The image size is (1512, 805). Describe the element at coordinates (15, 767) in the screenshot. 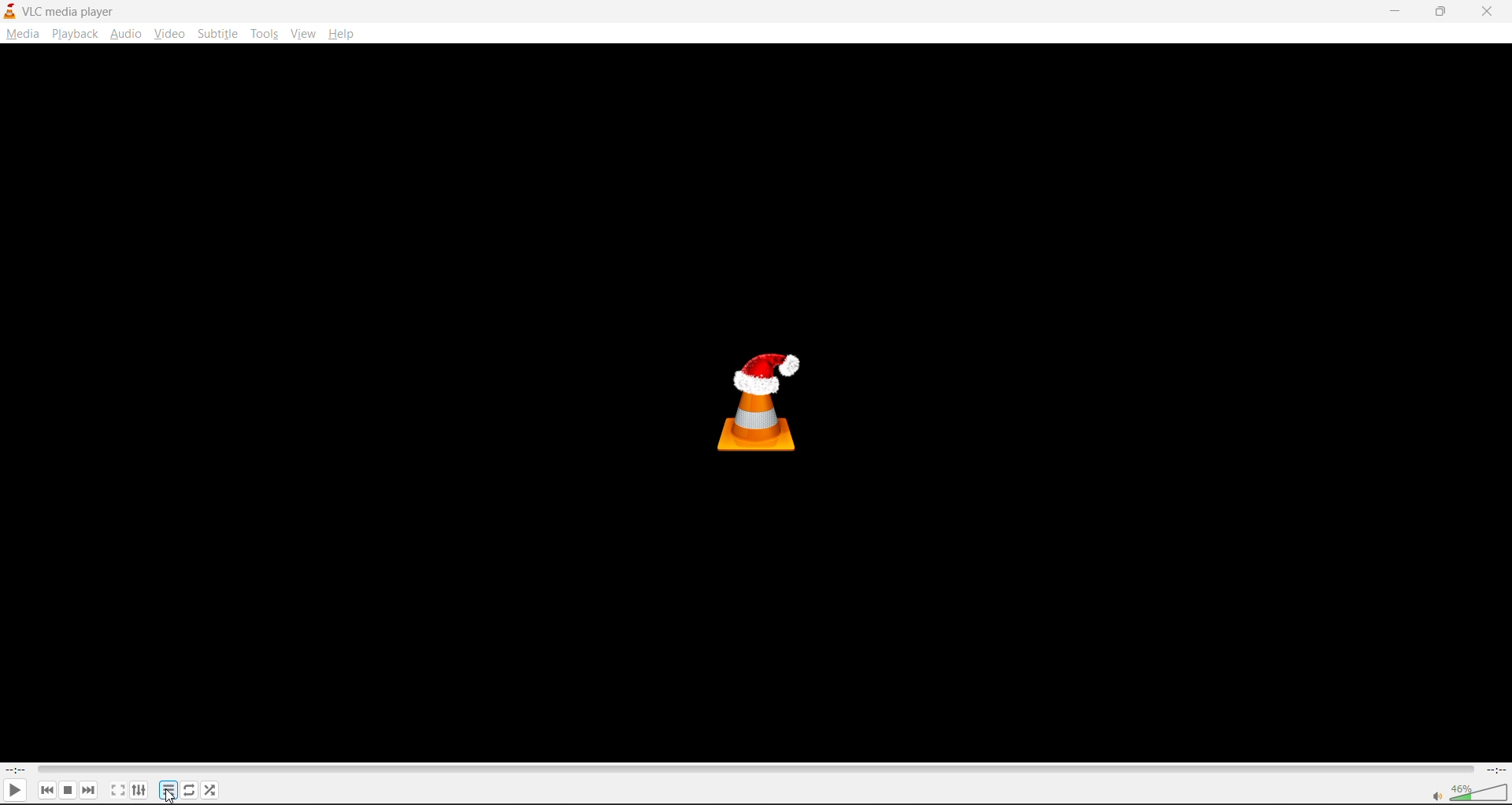

I see `current track time` at that location.